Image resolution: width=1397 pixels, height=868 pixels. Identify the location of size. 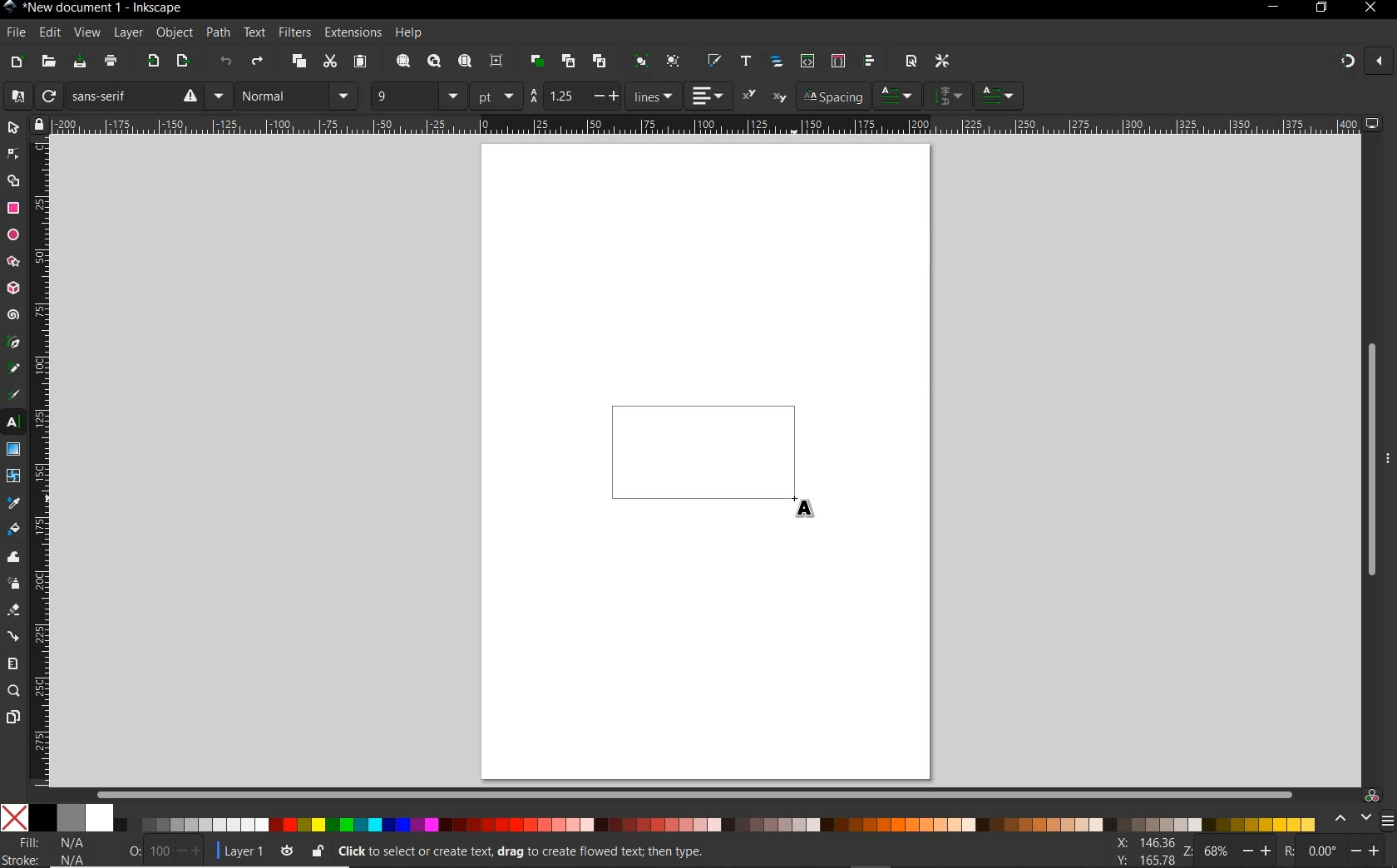
(453, 96).